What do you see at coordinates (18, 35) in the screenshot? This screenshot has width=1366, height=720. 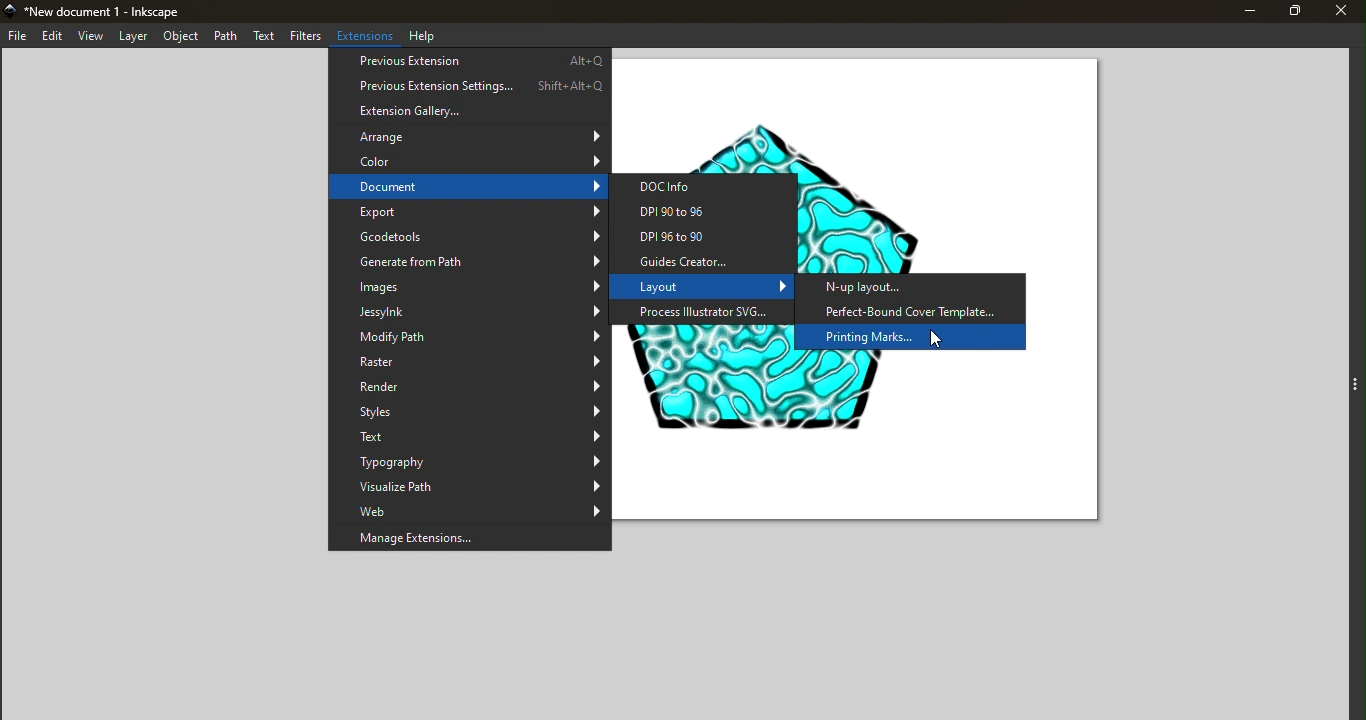 I see `File` at bounding box center [18, 35].